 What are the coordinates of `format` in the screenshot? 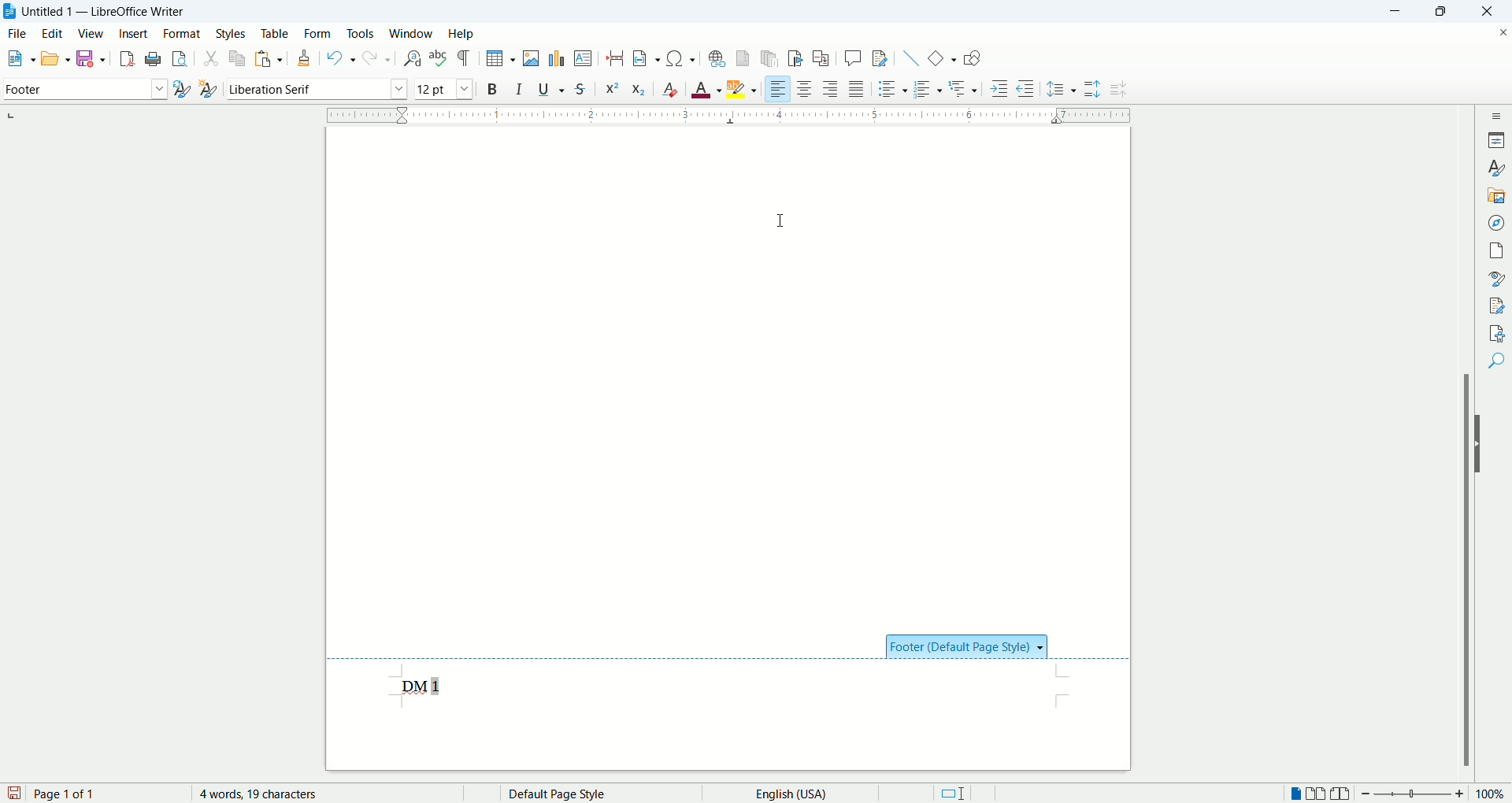 It's located at (181, 34).